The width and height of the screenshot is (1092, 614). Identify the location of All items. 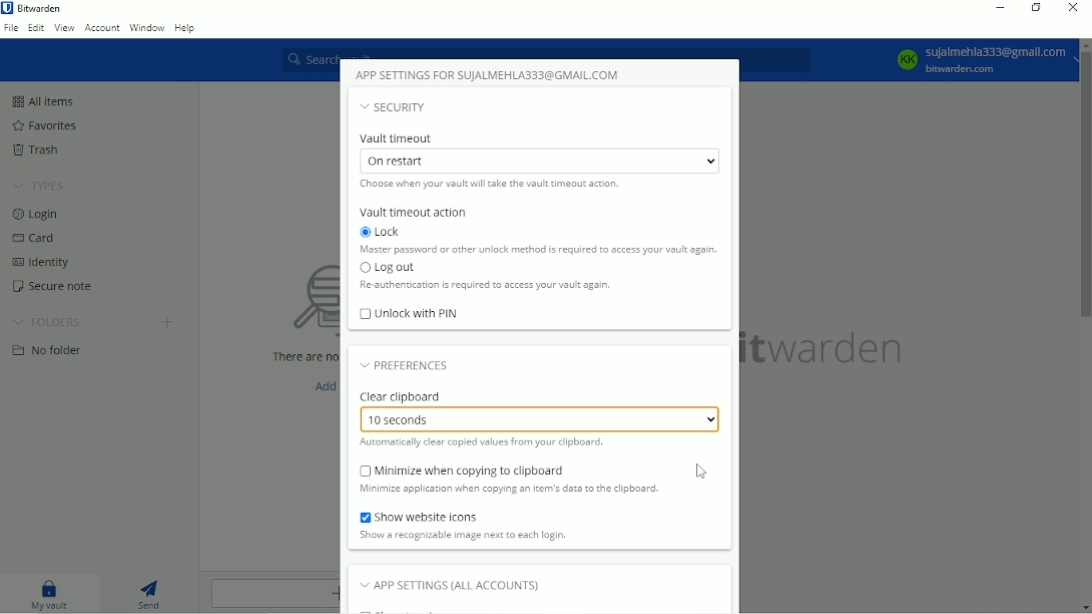
(42, 100).